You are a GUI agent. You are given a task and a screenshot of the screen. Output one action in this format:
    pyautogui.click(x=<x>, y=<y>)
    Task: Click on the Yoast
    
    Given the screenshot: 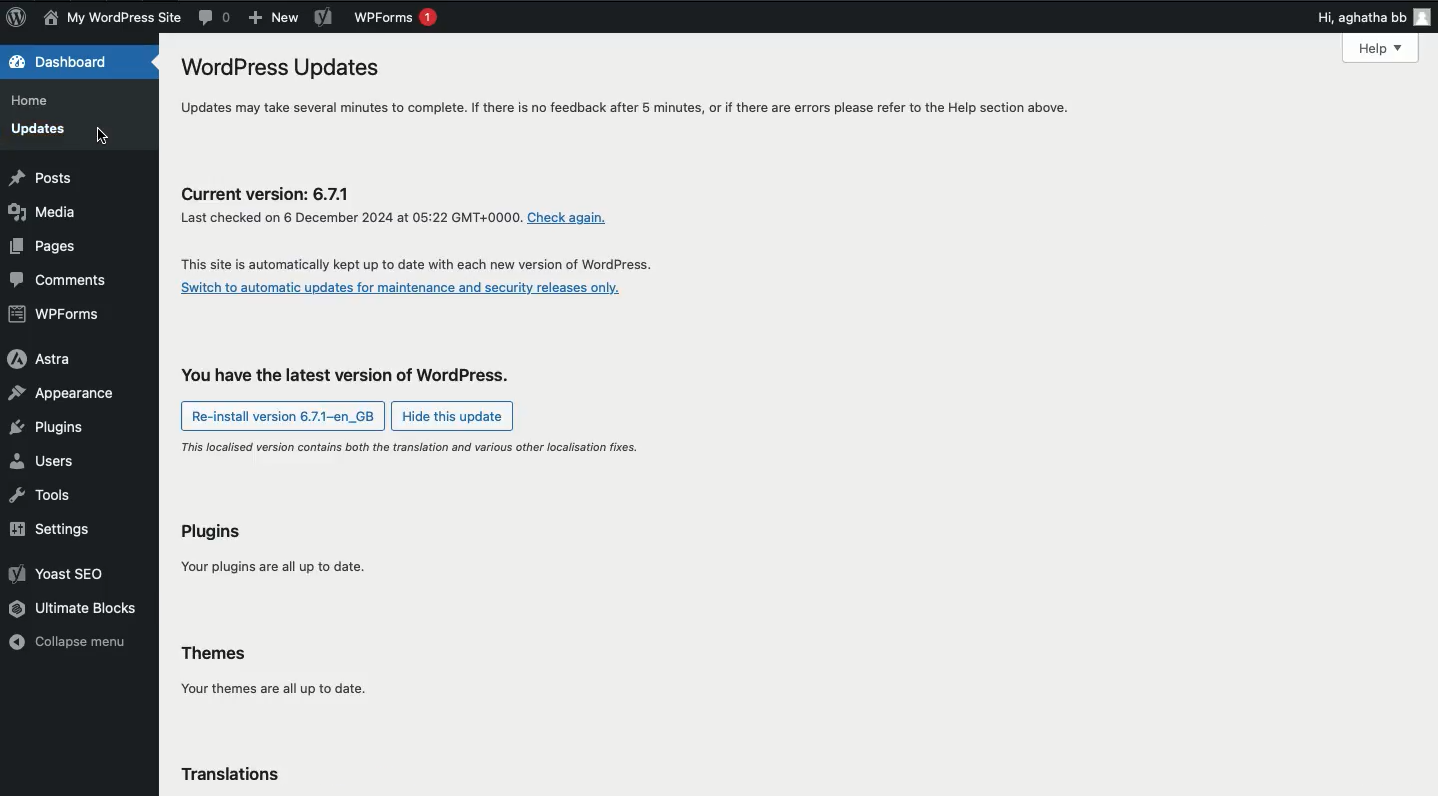 What is the action you would take?
    pyautogui.click(x=323, y=18)
    